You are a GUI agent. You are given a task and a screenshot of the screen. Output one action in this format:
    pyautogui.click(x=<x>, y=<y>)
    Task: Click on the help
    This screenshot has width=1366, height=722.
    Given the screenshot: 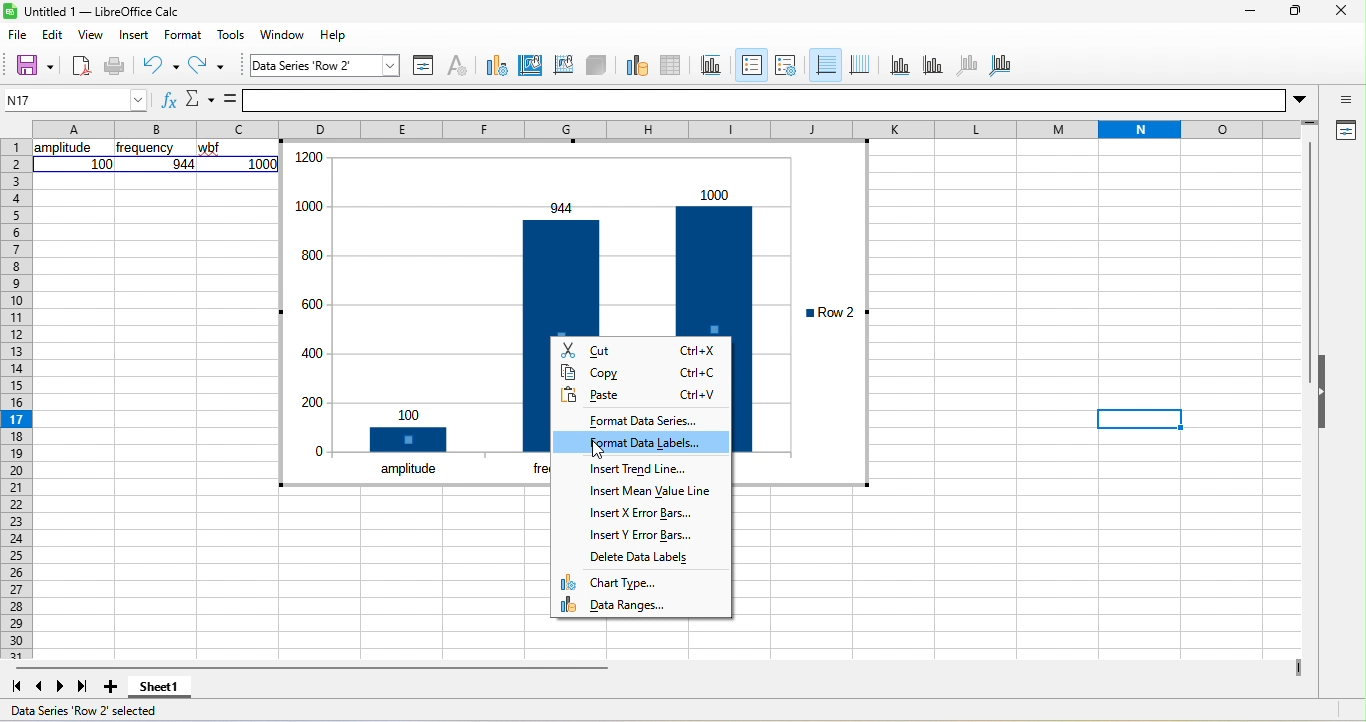 What is the action you would take?
    pyautogui.click(x=327, y=36)
    